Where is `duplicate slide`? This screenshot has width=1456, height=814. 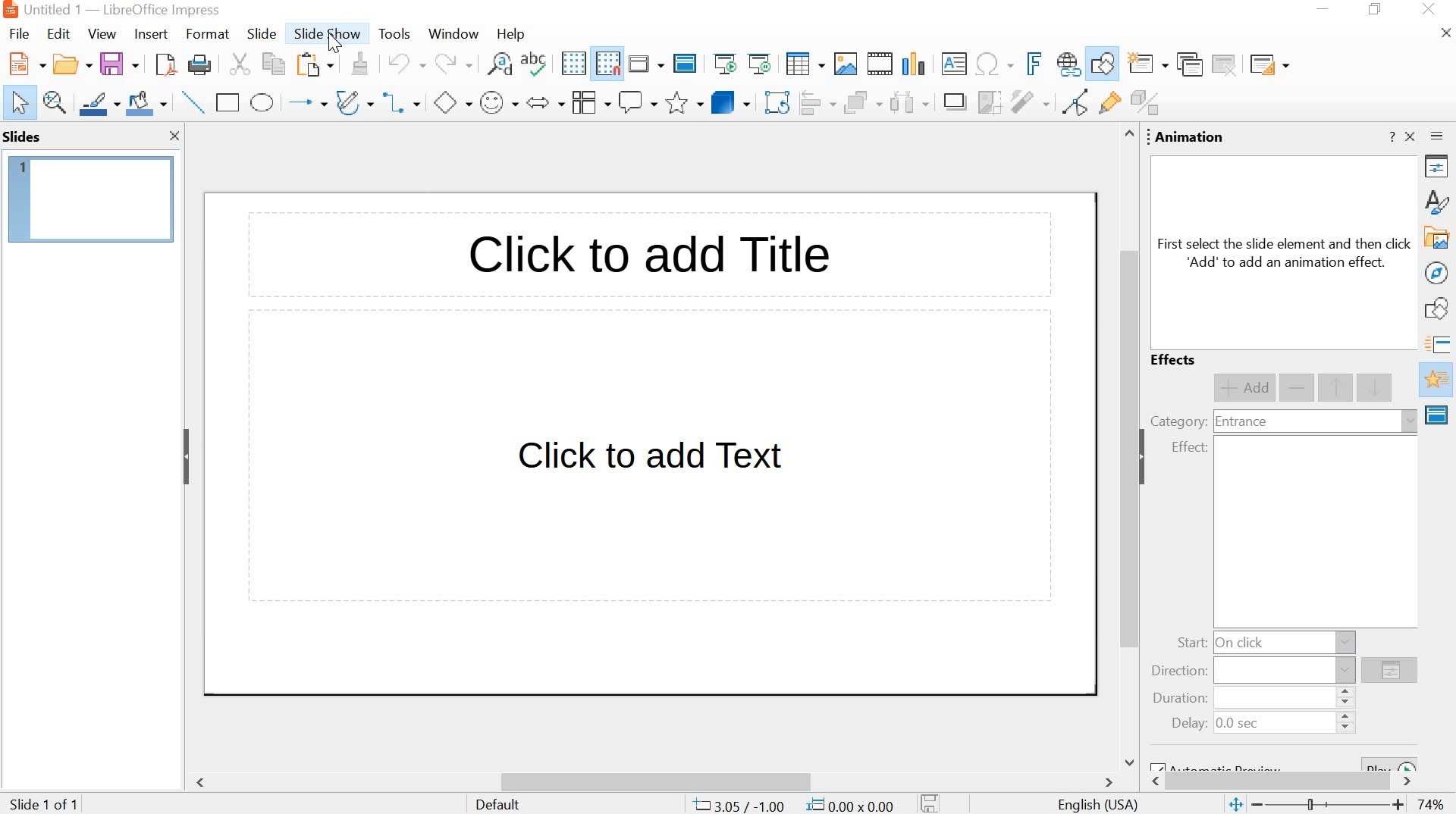
duplicate slide is located at coordinates (1188, 65).